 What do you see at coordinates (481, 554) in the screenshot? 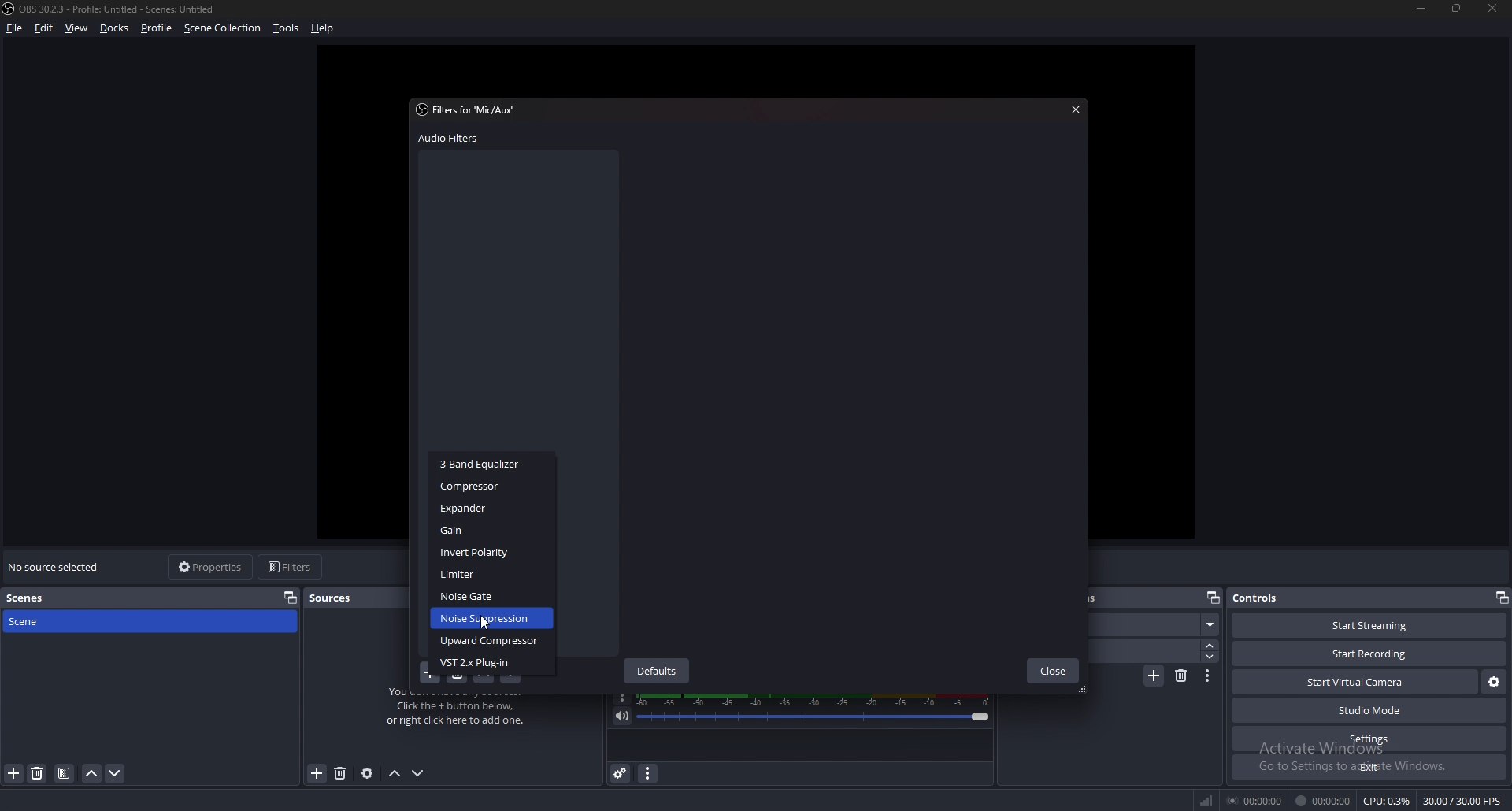
I see `Invert Polarity` at bounding box center [481, 554].